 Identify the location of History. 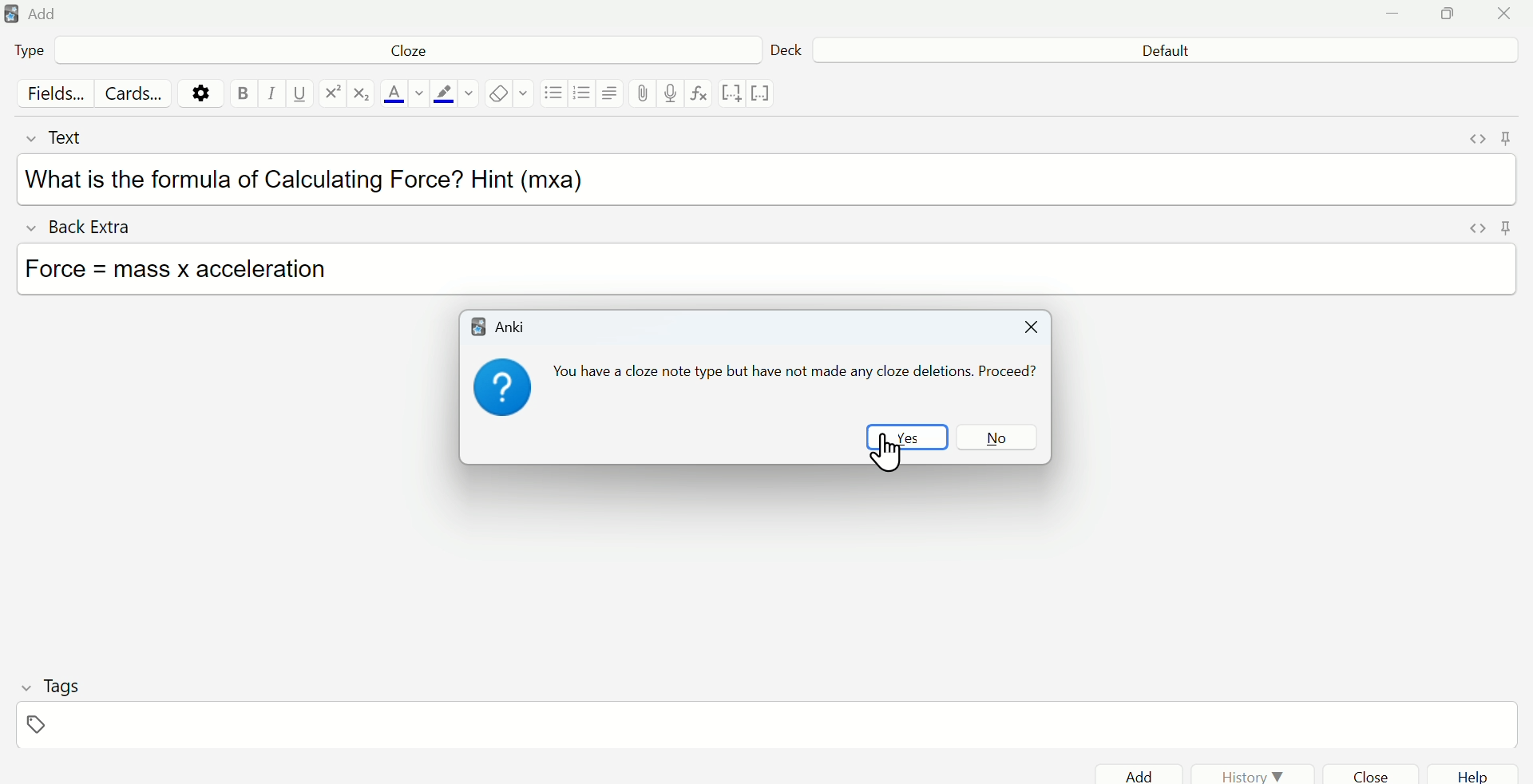
(1254, 771).